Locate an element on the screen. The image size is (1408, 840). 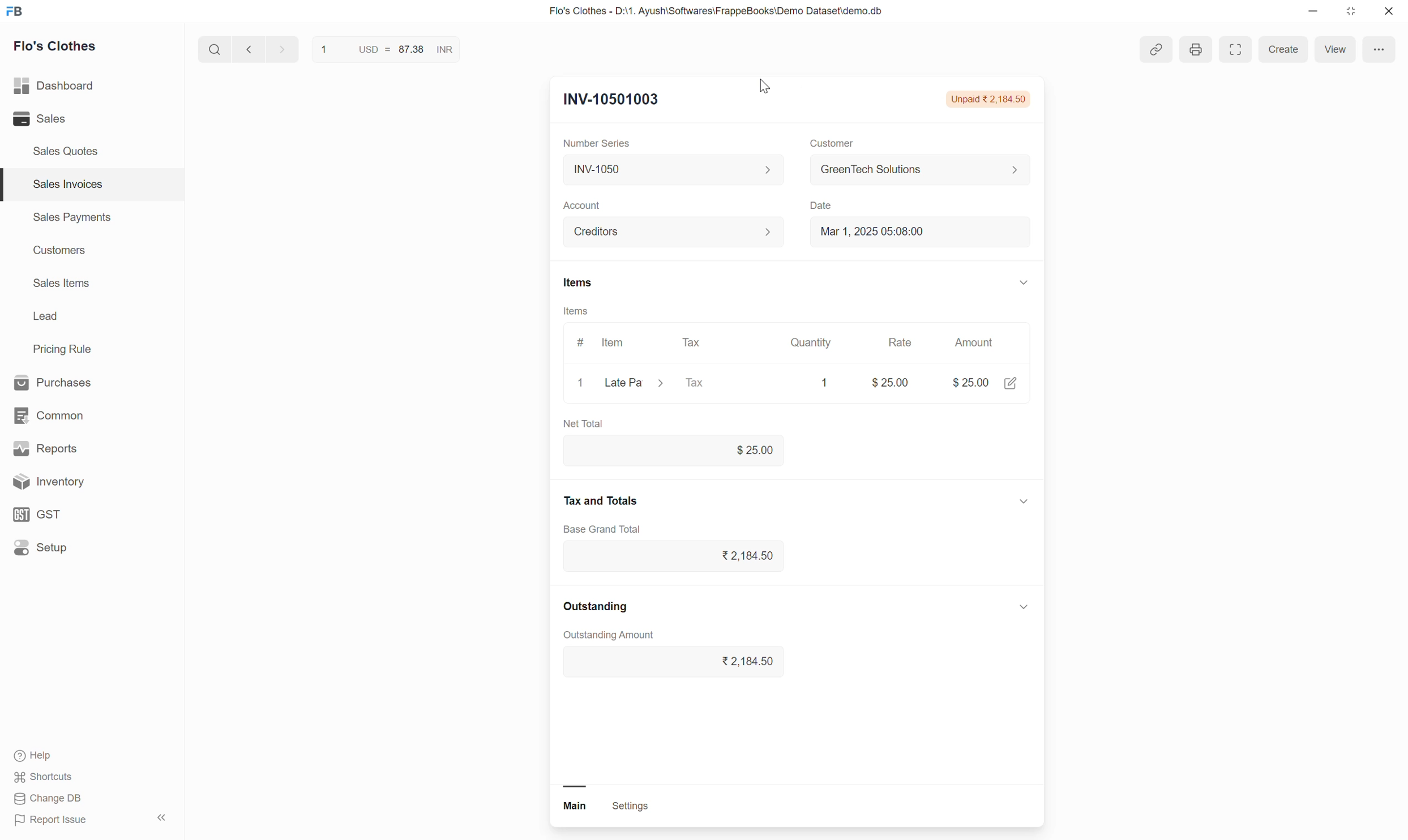
Pricing Rule is located at coordinates (64, 349).